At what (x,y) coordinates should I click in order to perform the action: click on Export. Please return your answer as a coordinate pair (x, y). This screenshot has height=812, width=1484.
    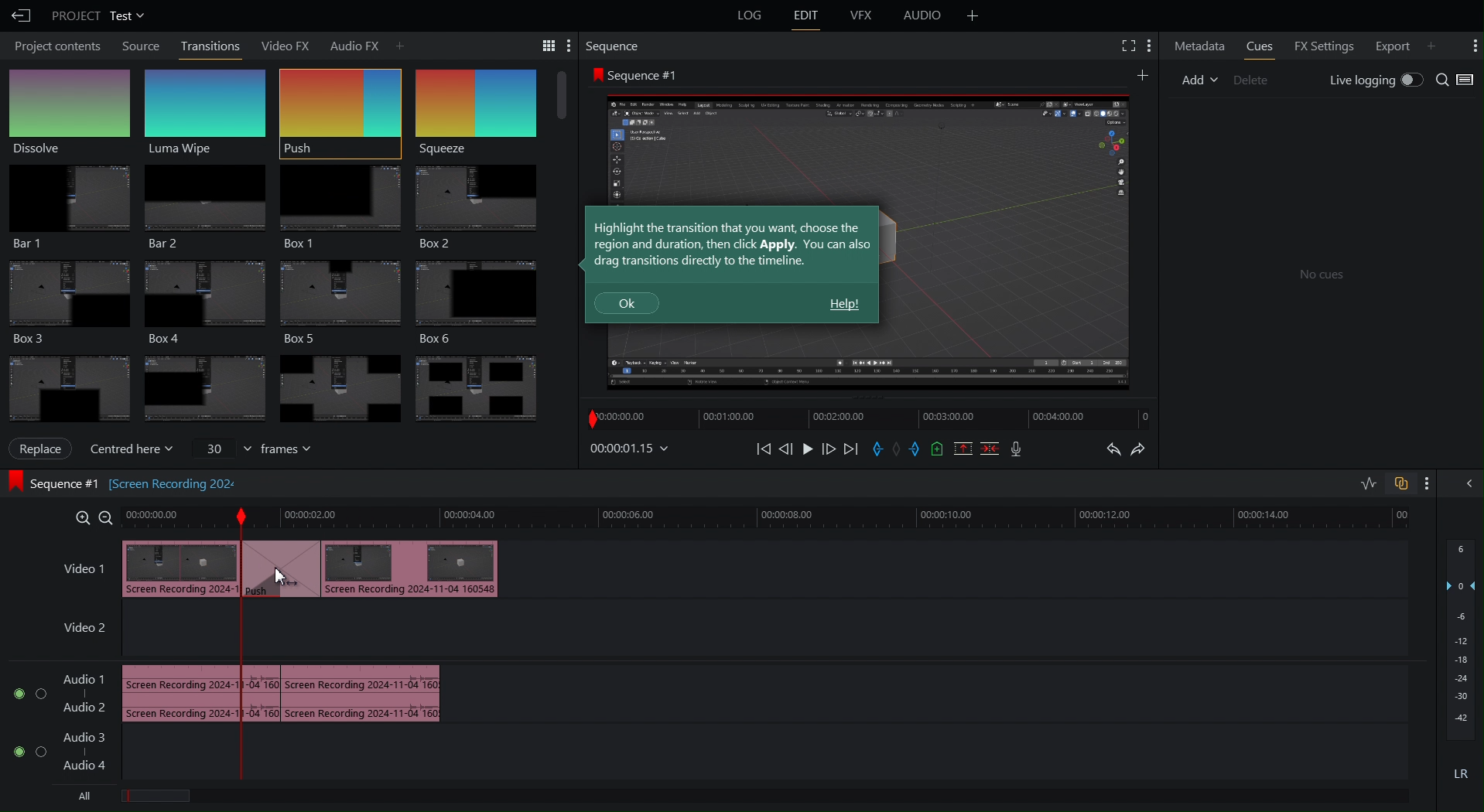
    Looking at the image, I should click on (1391, 45).